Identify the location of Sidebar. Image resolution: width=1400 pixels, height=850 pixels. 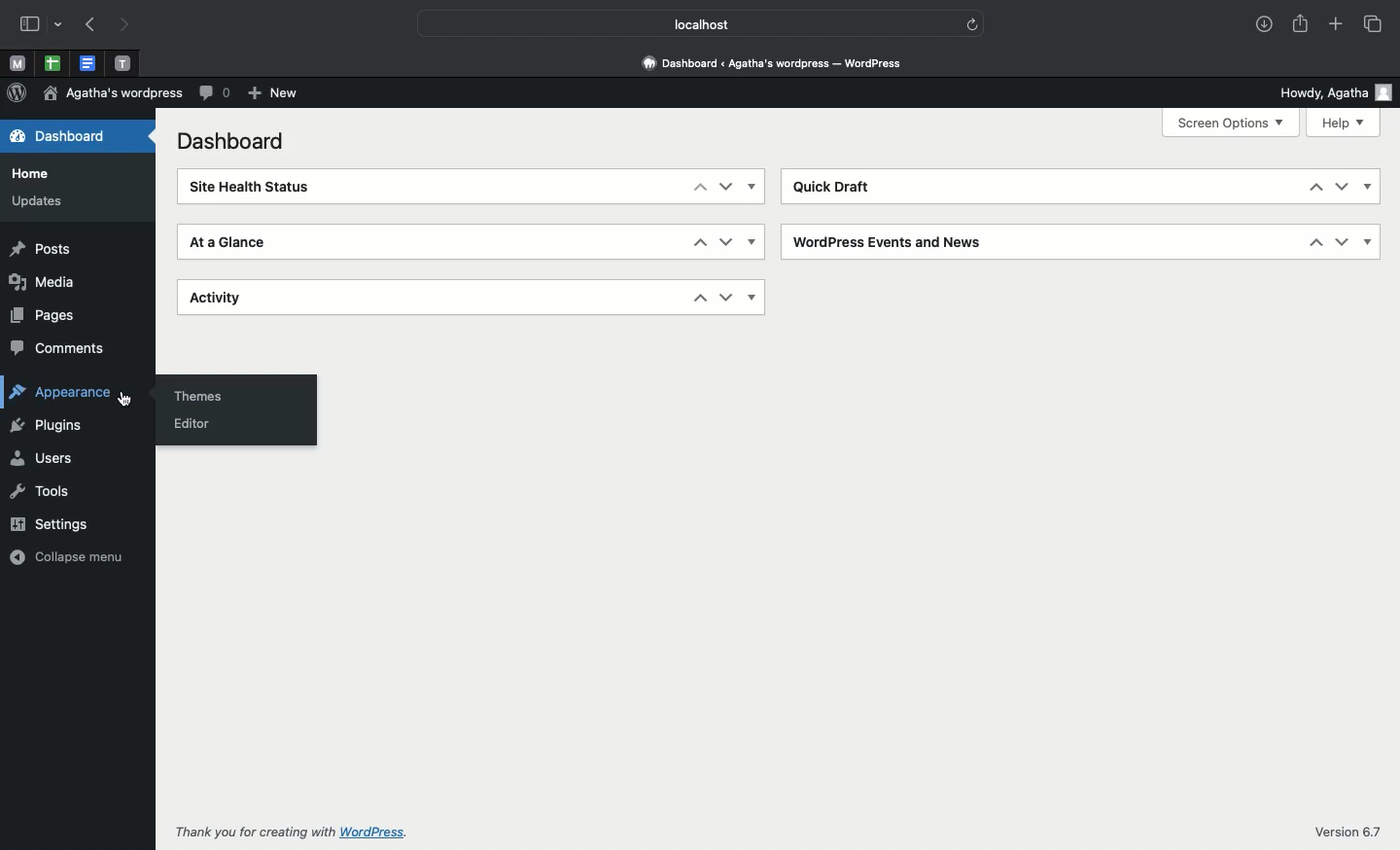
(29, 24).